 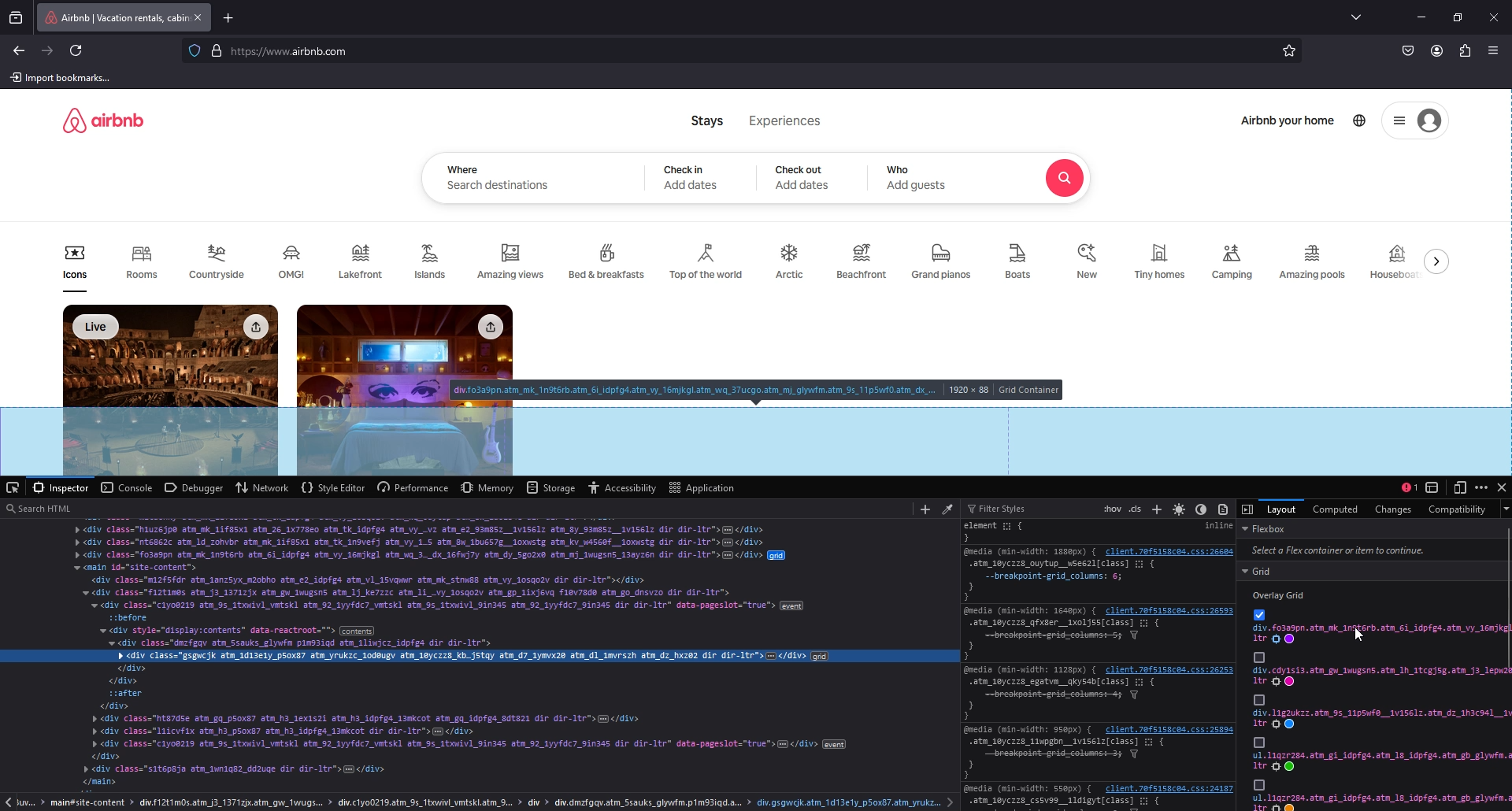 I want to click on , so click(x=1258, y=699).